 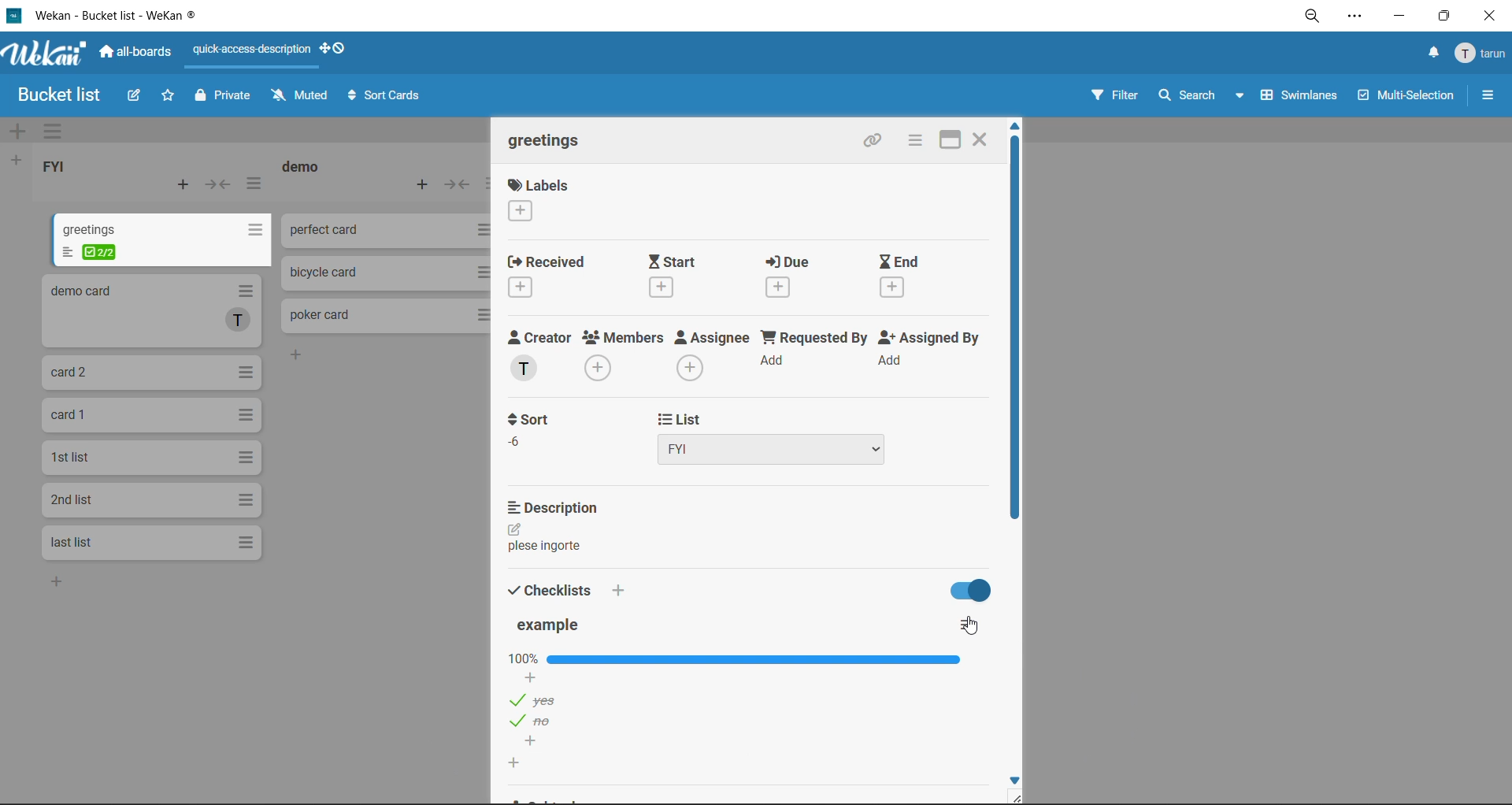 I want to click on list title, so click(x=61, y=168).